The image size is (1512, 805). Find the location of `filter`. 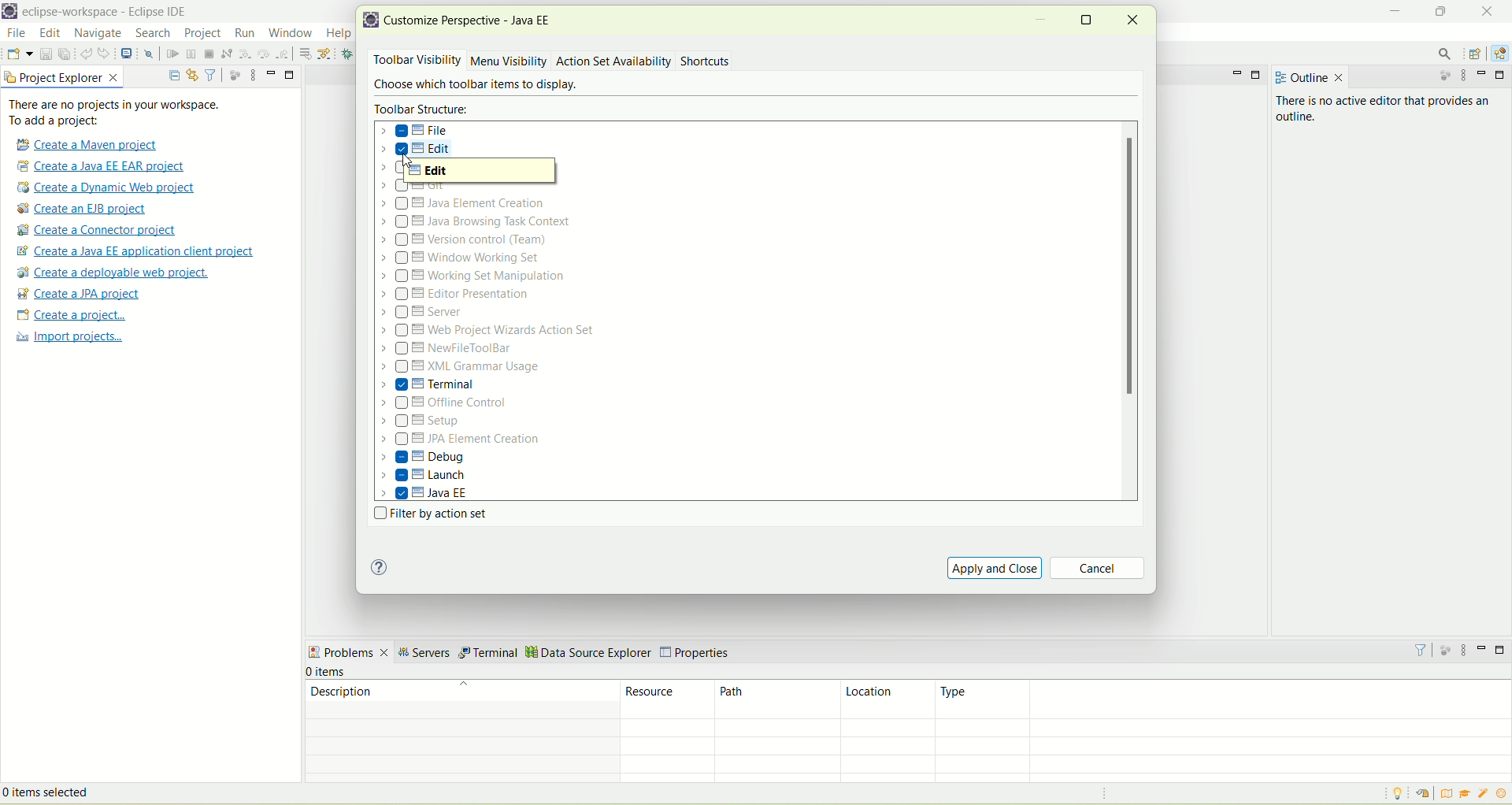

filter is located at coordinates (211, 75).